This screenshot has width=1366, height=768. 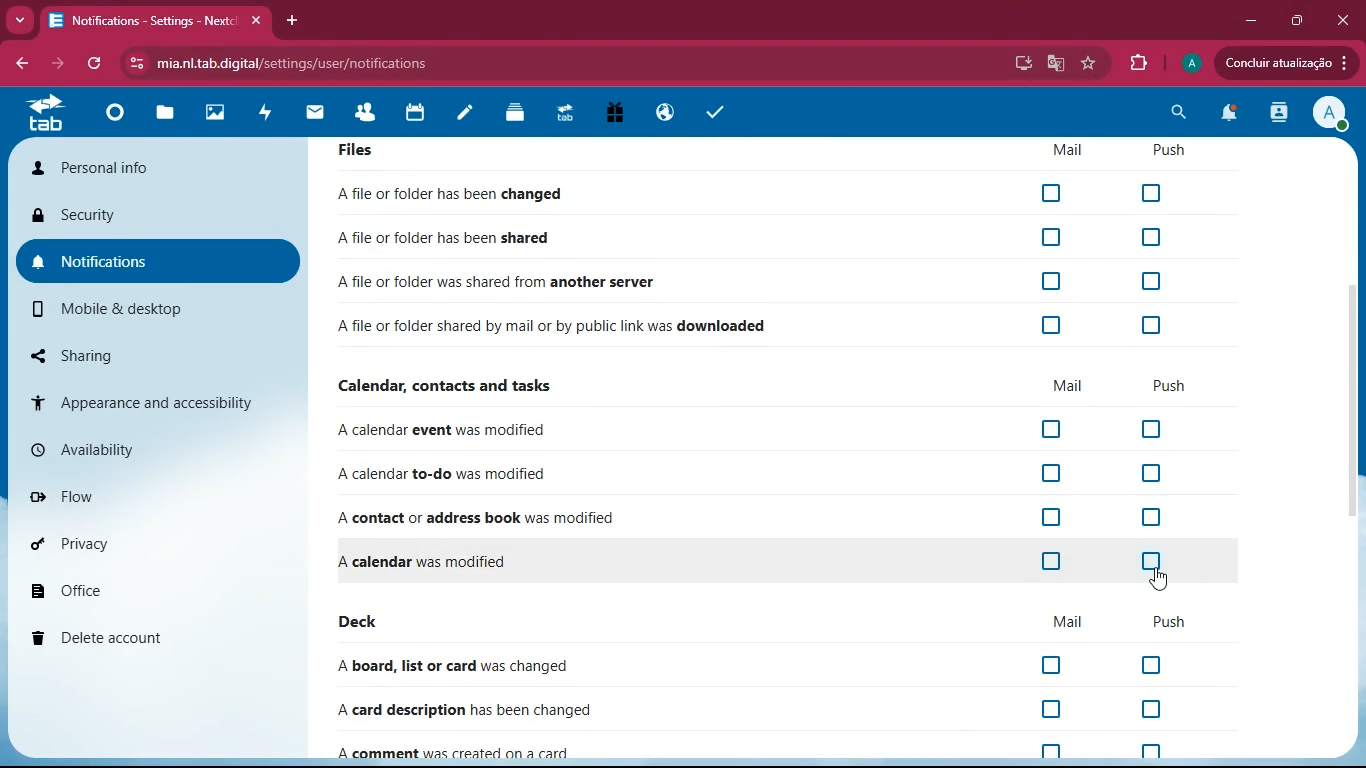 I want to click on close tab, so click(x=254, y=22).